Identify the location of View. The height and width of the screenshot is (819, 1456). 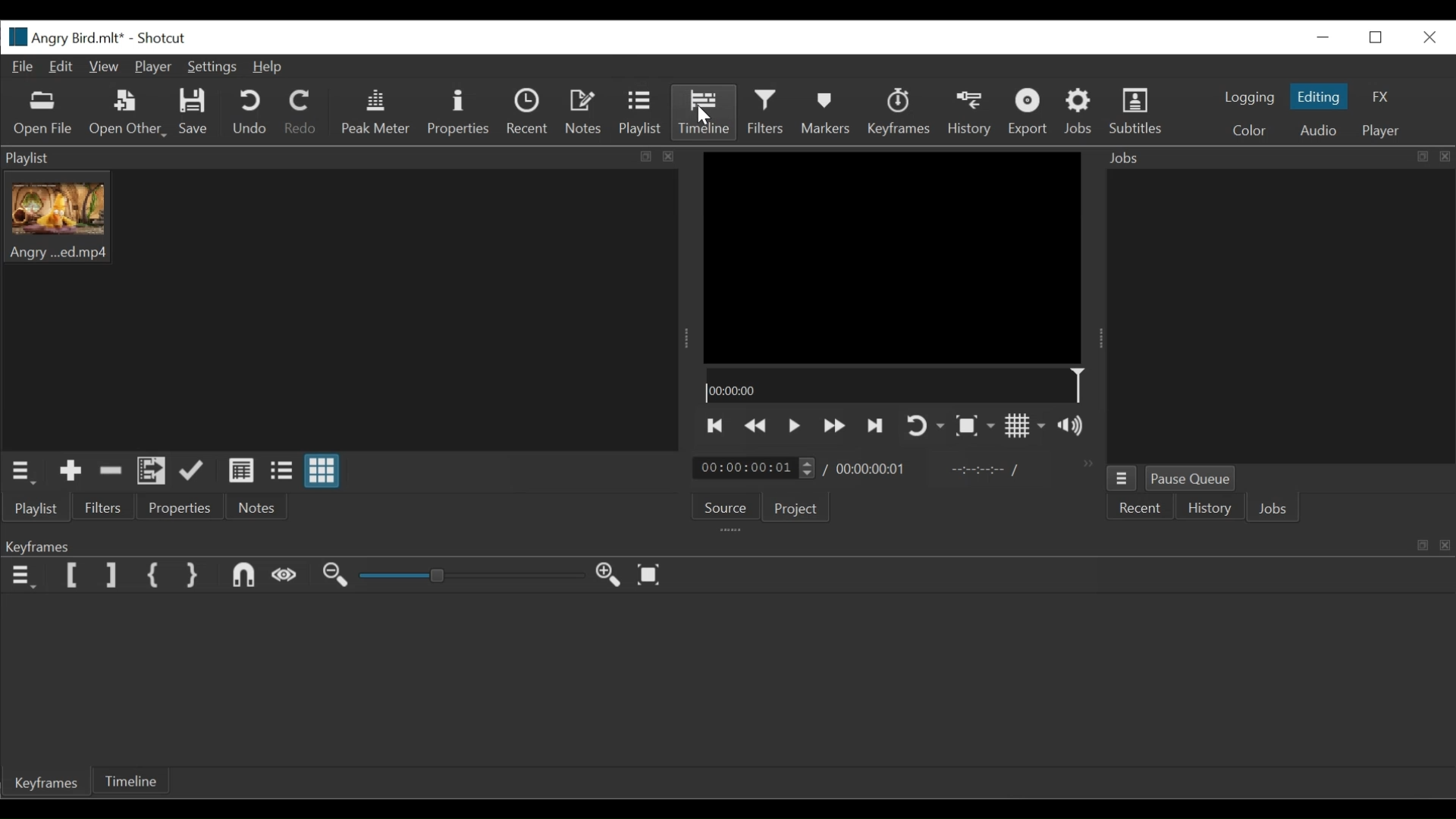
(102, 65).